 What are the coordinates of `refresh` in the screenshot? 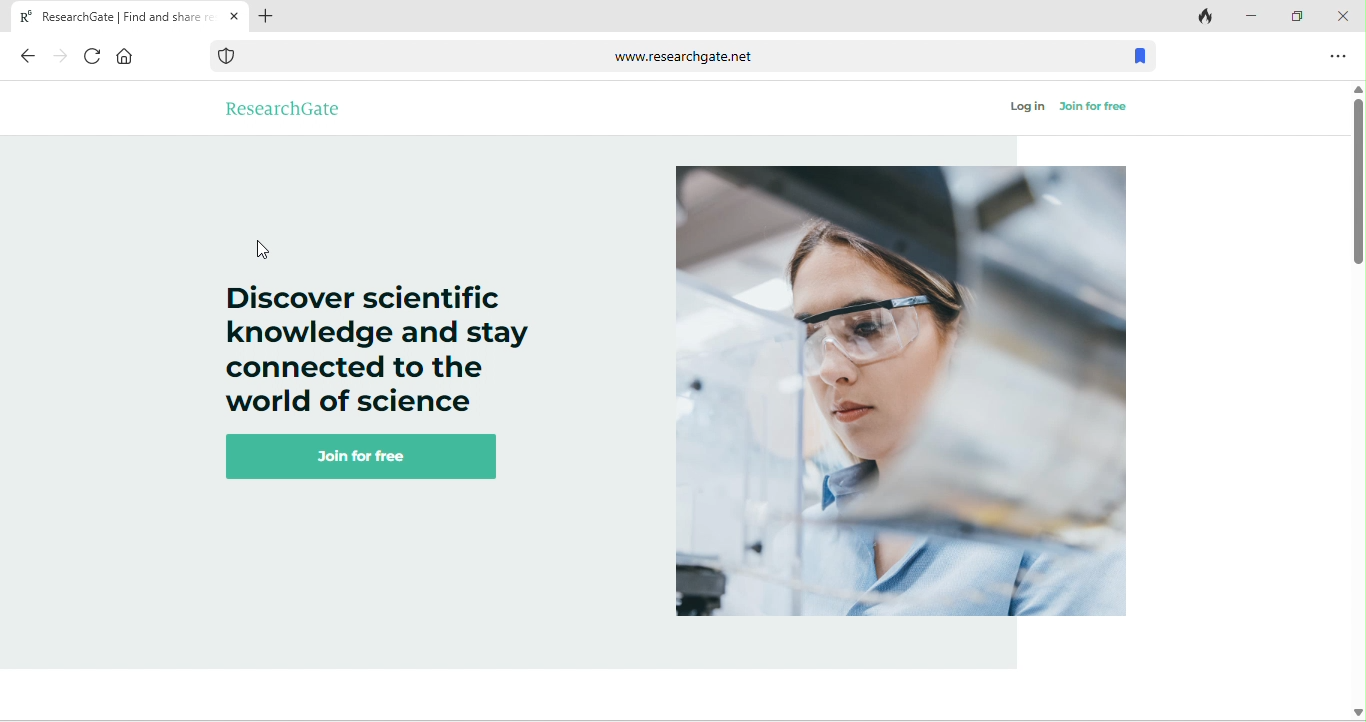 It's located at (87, 56).